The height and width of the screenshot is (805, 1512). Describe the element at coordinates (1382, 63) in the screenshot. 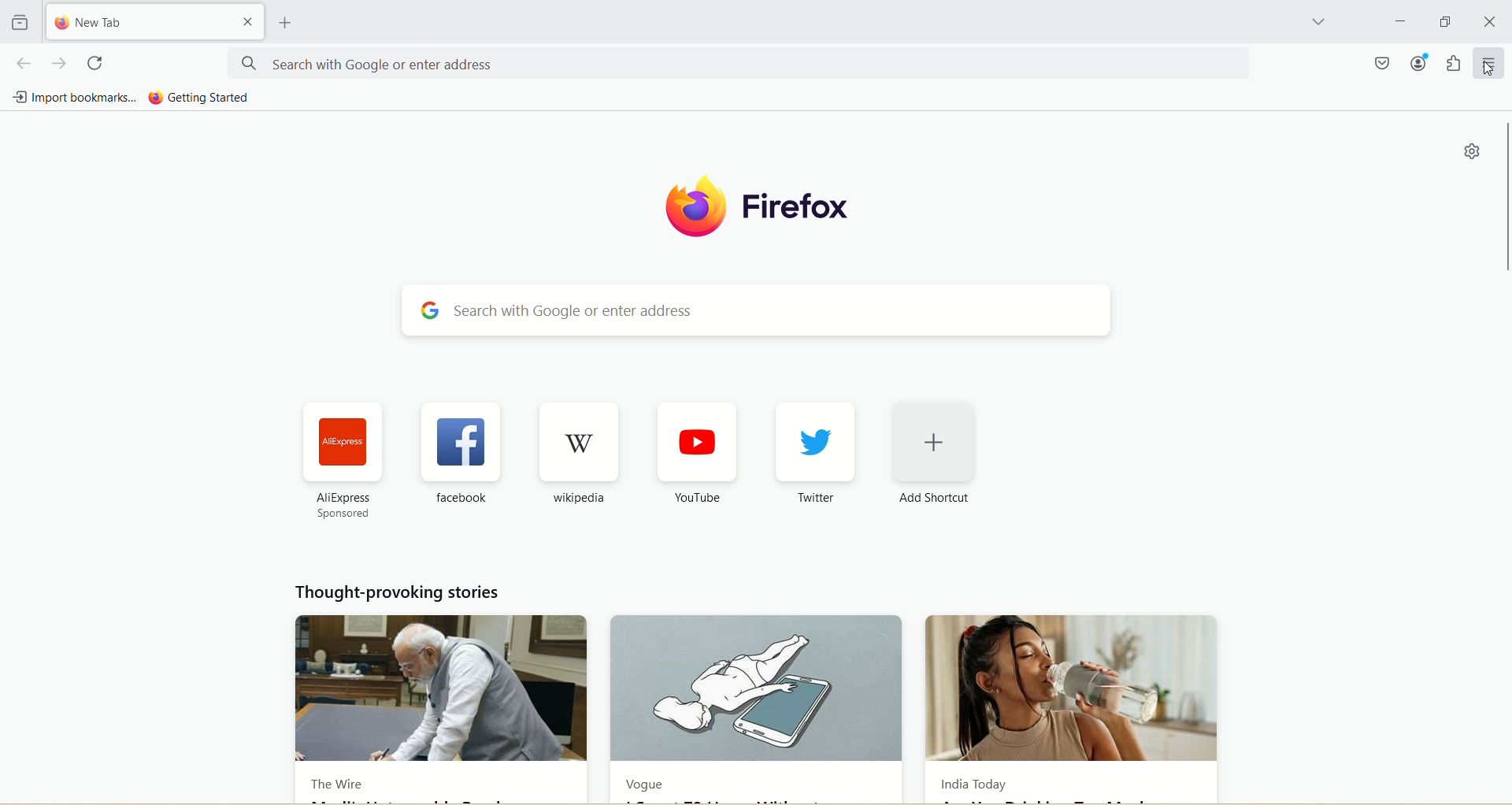

I see `save to pocket` at that location.